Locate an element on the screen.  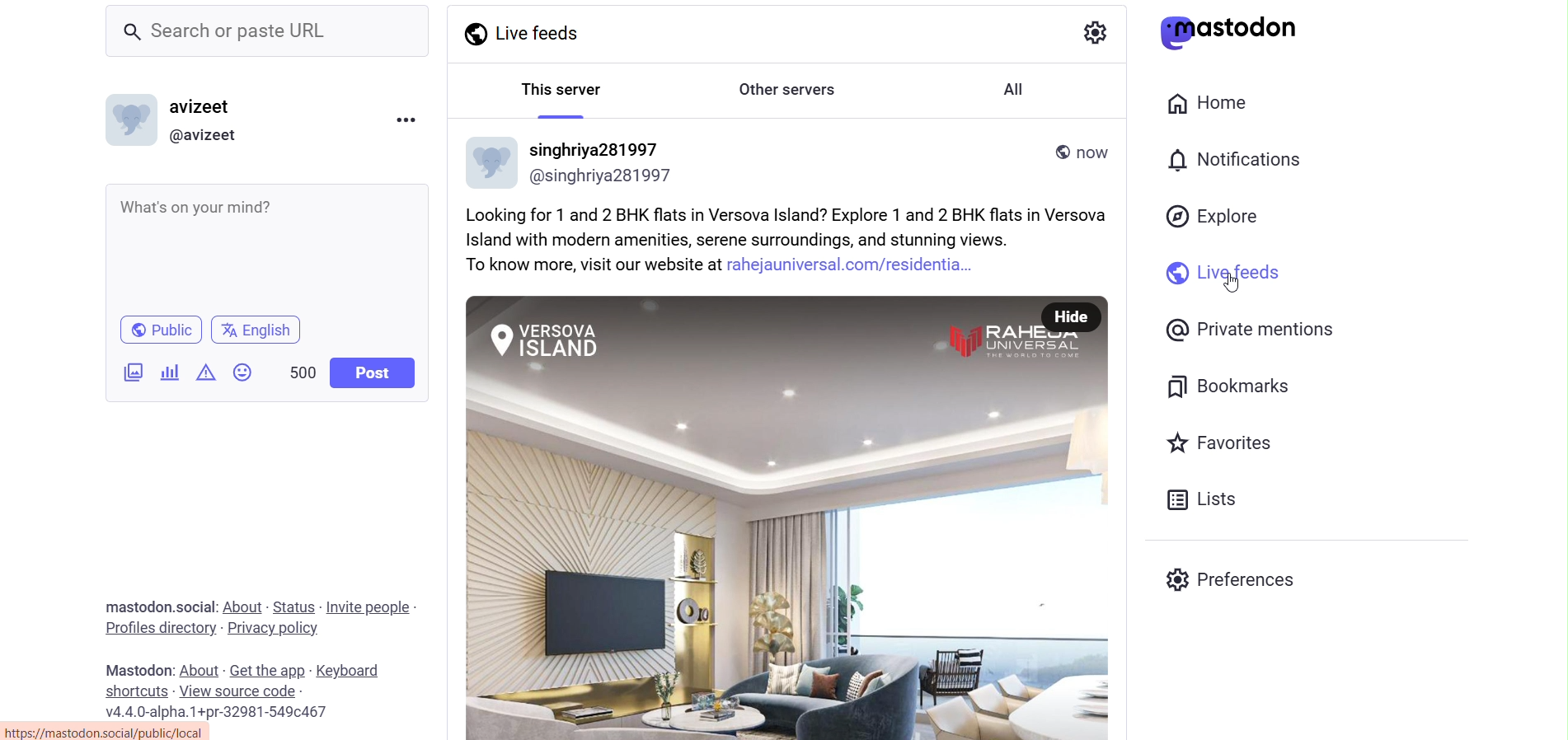
notification is located at coordinates (1236, 162).